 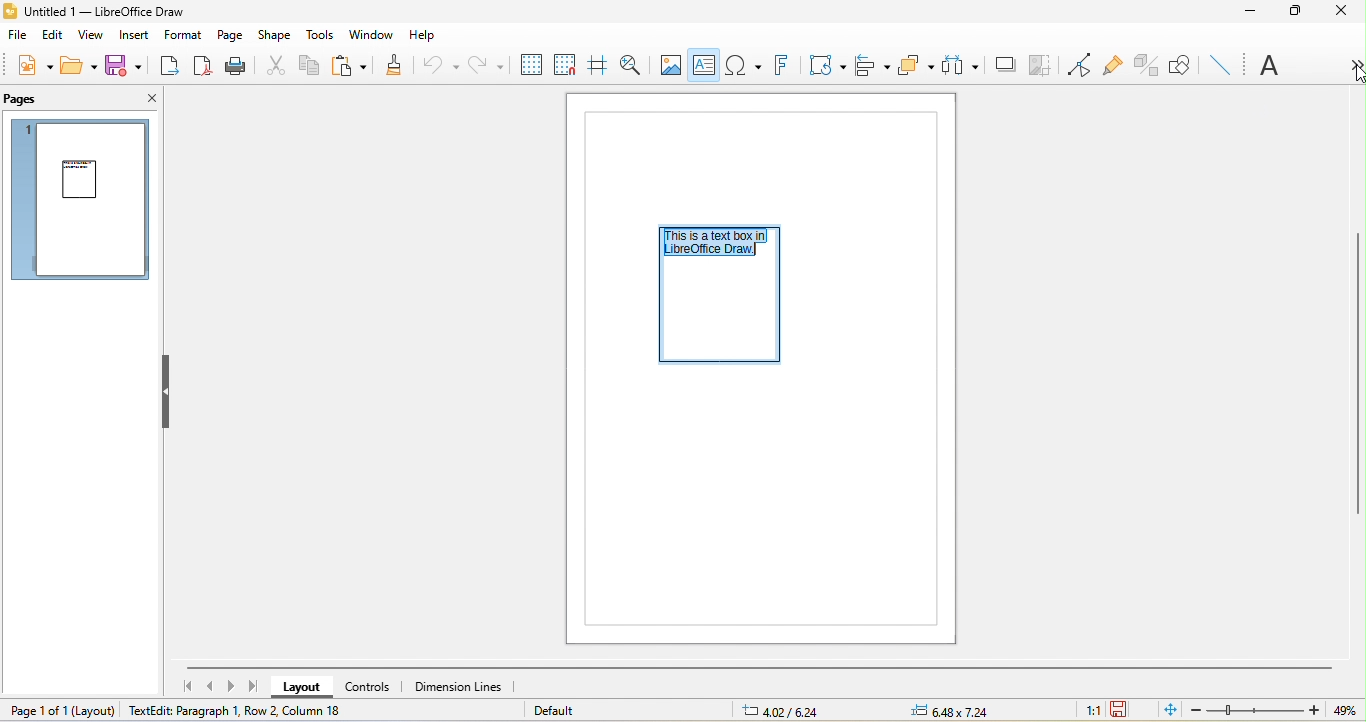 What do you see at coordinates (239, 710) in the screenshot?
I see `textedit paragraph 1, row 2, column 7` at bounding box center [239, 710].